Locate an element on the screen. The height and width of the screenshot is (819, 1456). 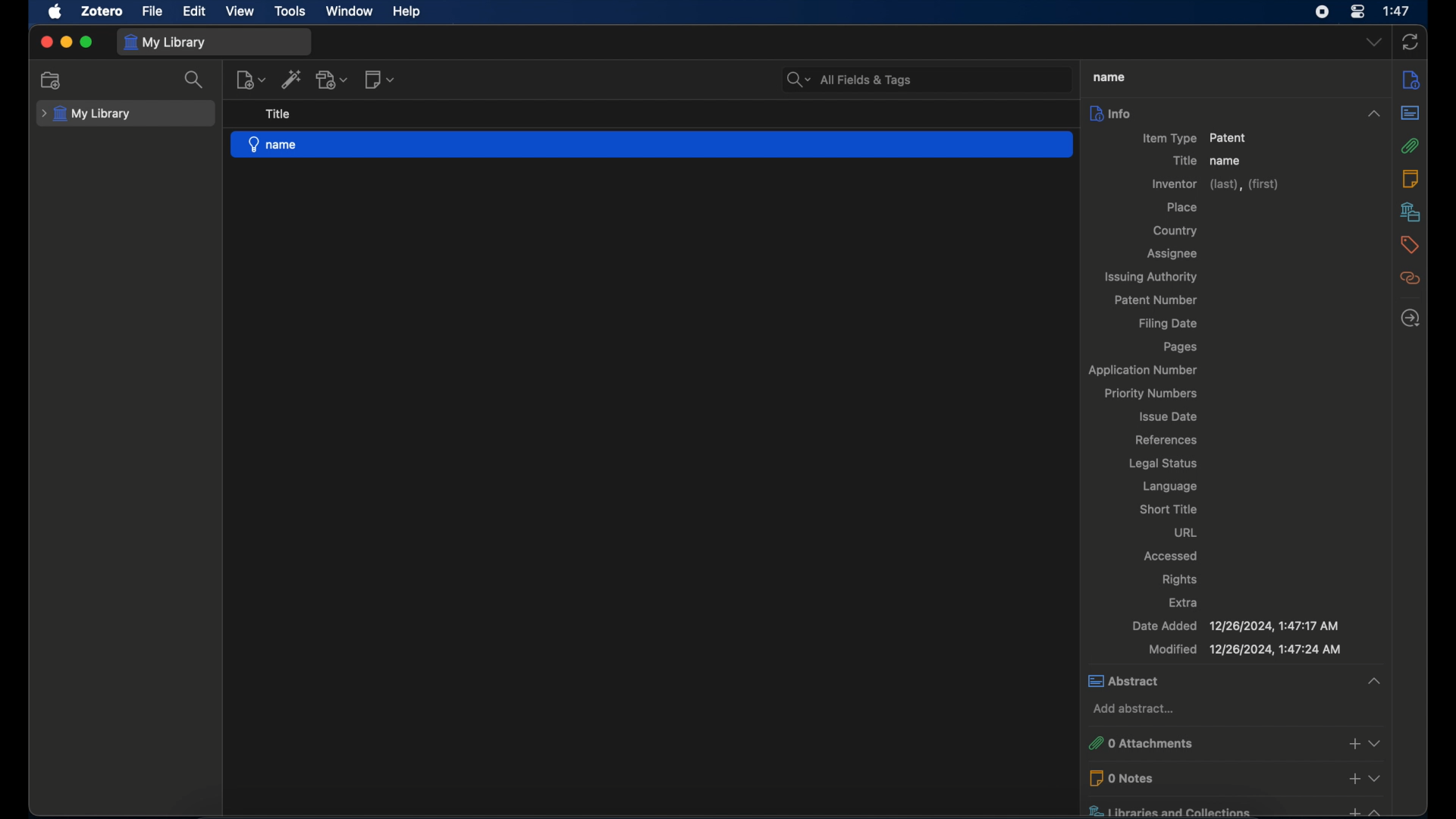
maximize is located at coordinates (87, 42).